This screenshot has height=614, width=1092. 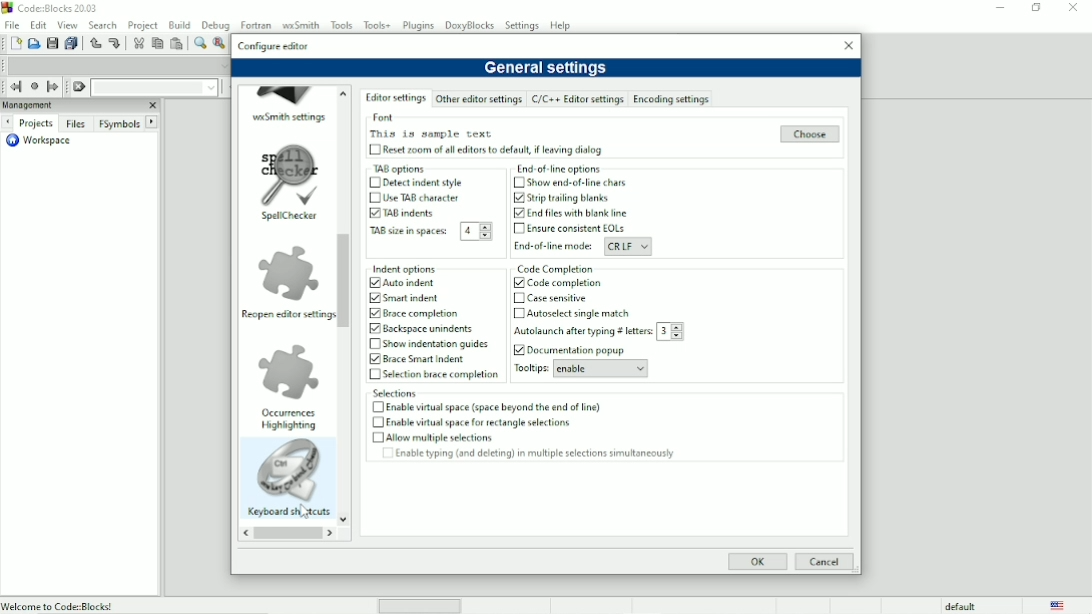 I want to click on Selection brace completion, so click(x=442, y=375).